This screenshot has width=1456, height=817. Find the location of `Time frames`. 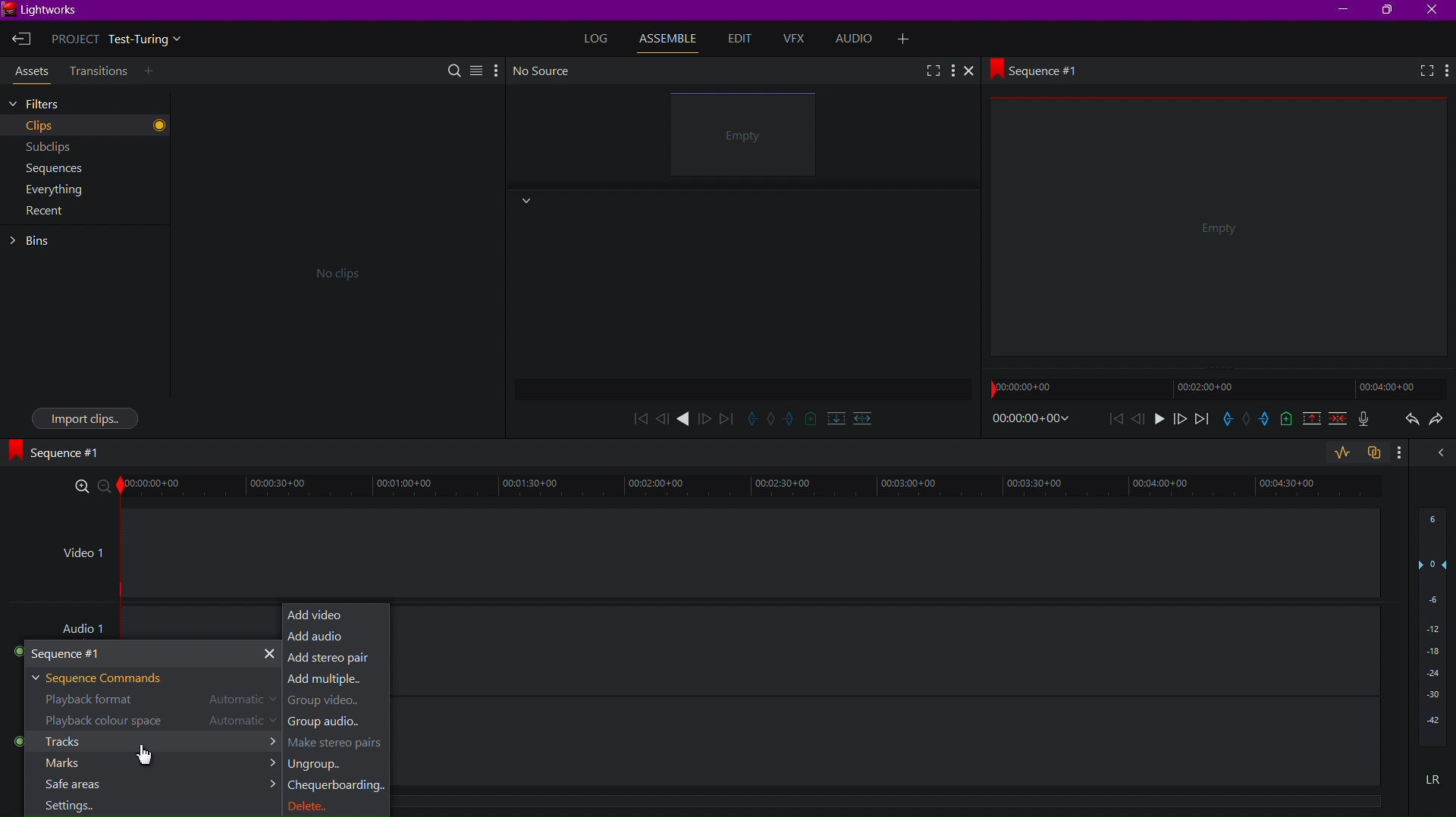

Time frames is located at coordinates (1209, 388).